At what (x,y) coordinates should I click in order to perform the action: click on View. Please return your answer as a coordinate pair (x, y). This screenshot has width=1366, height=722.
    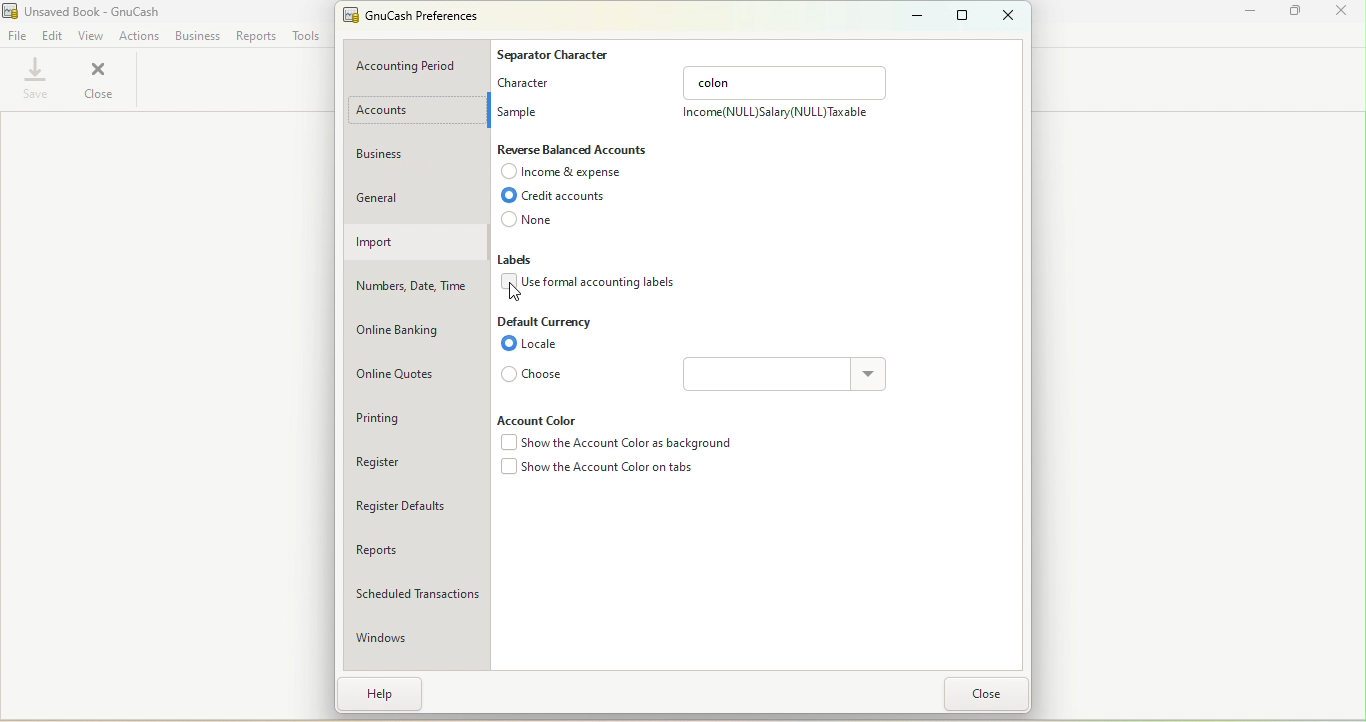
    Looking at the image, I should click on (92, 33).